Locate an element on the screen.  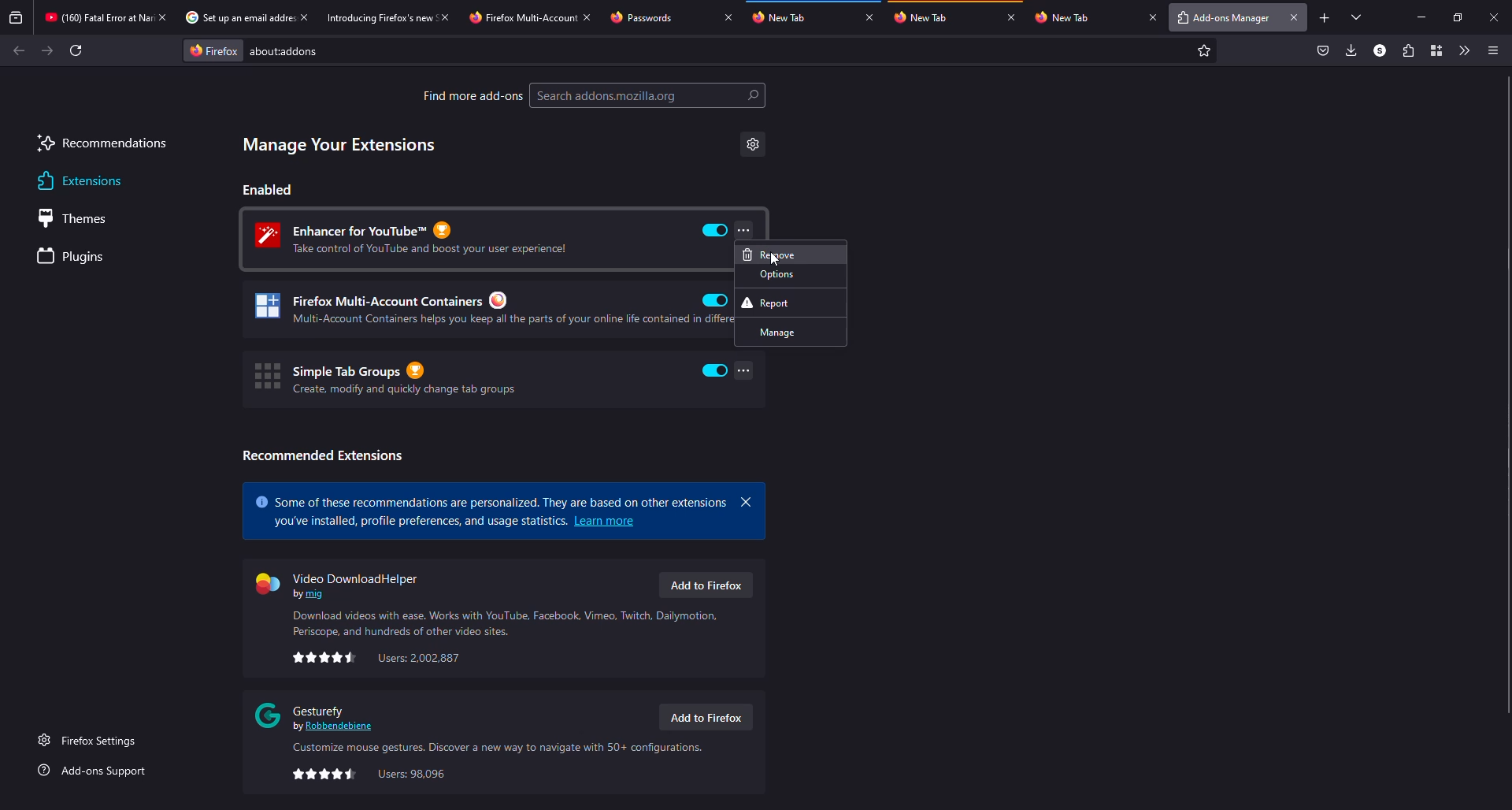
Add current page to favorite is located at coordinates (1204, 50).